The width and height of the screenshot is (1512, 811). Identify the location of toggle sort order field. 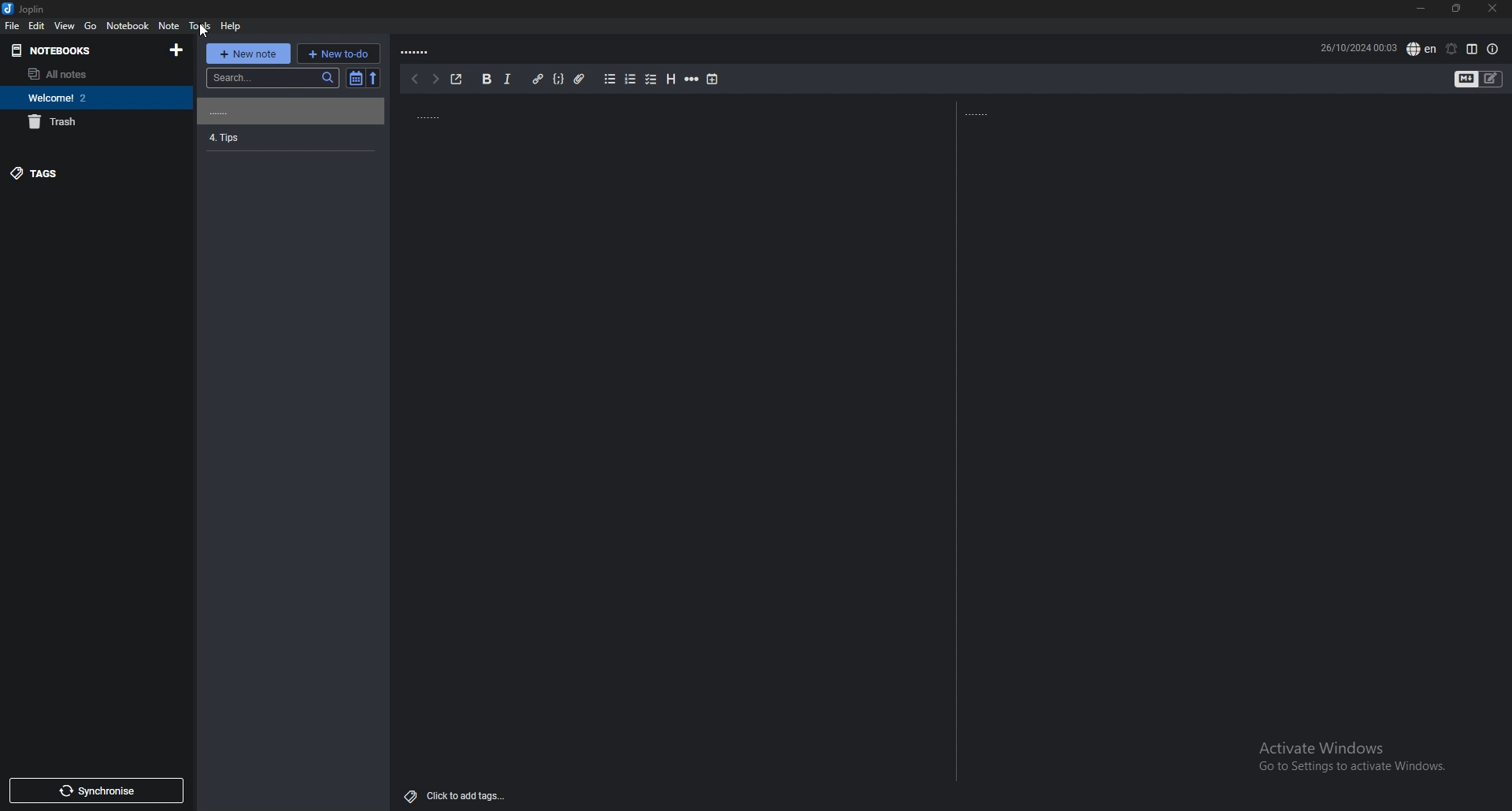
(354, 79).